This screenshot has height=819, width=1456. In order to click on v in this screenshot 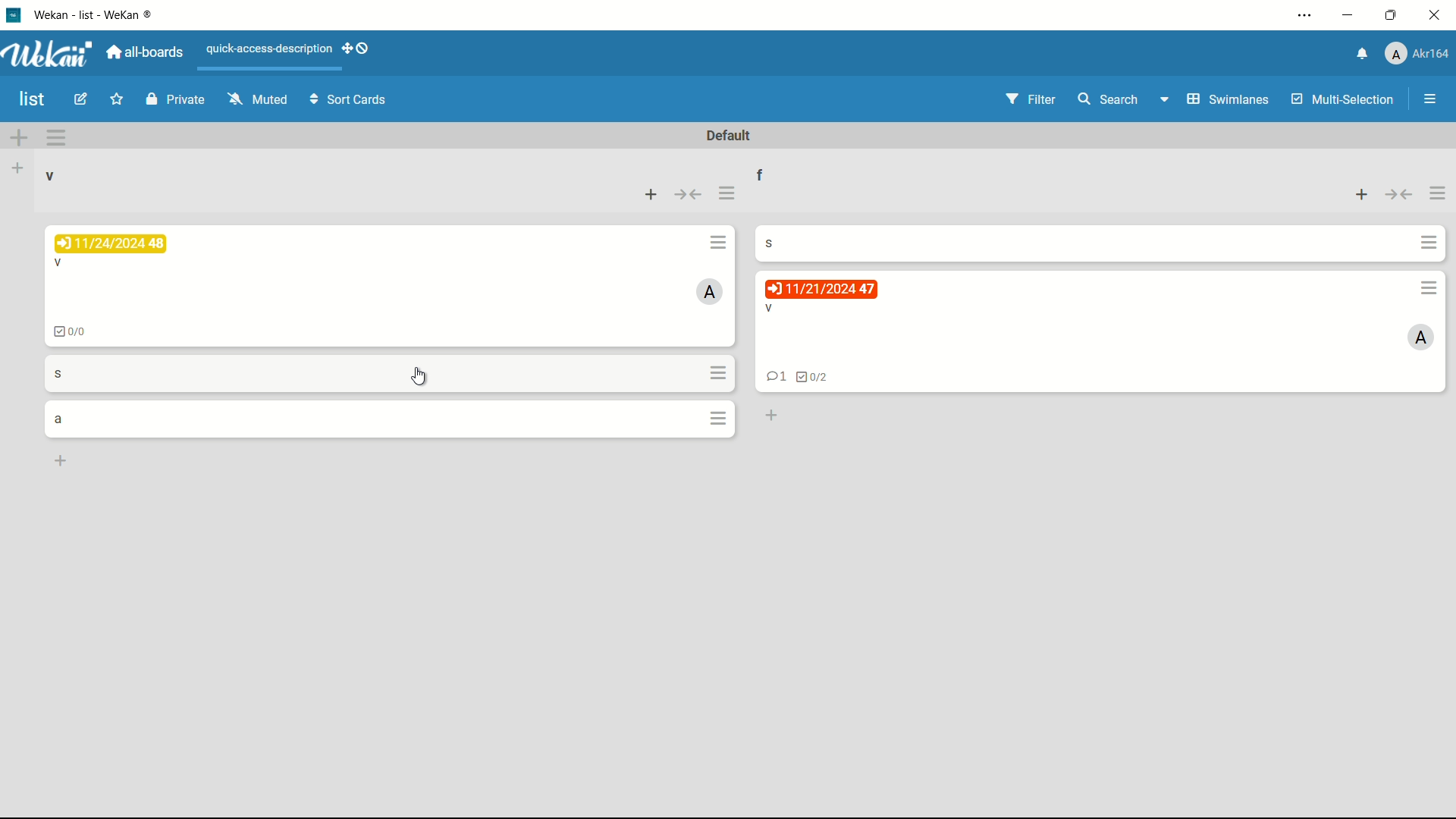, I will do `click(54, 175)`.